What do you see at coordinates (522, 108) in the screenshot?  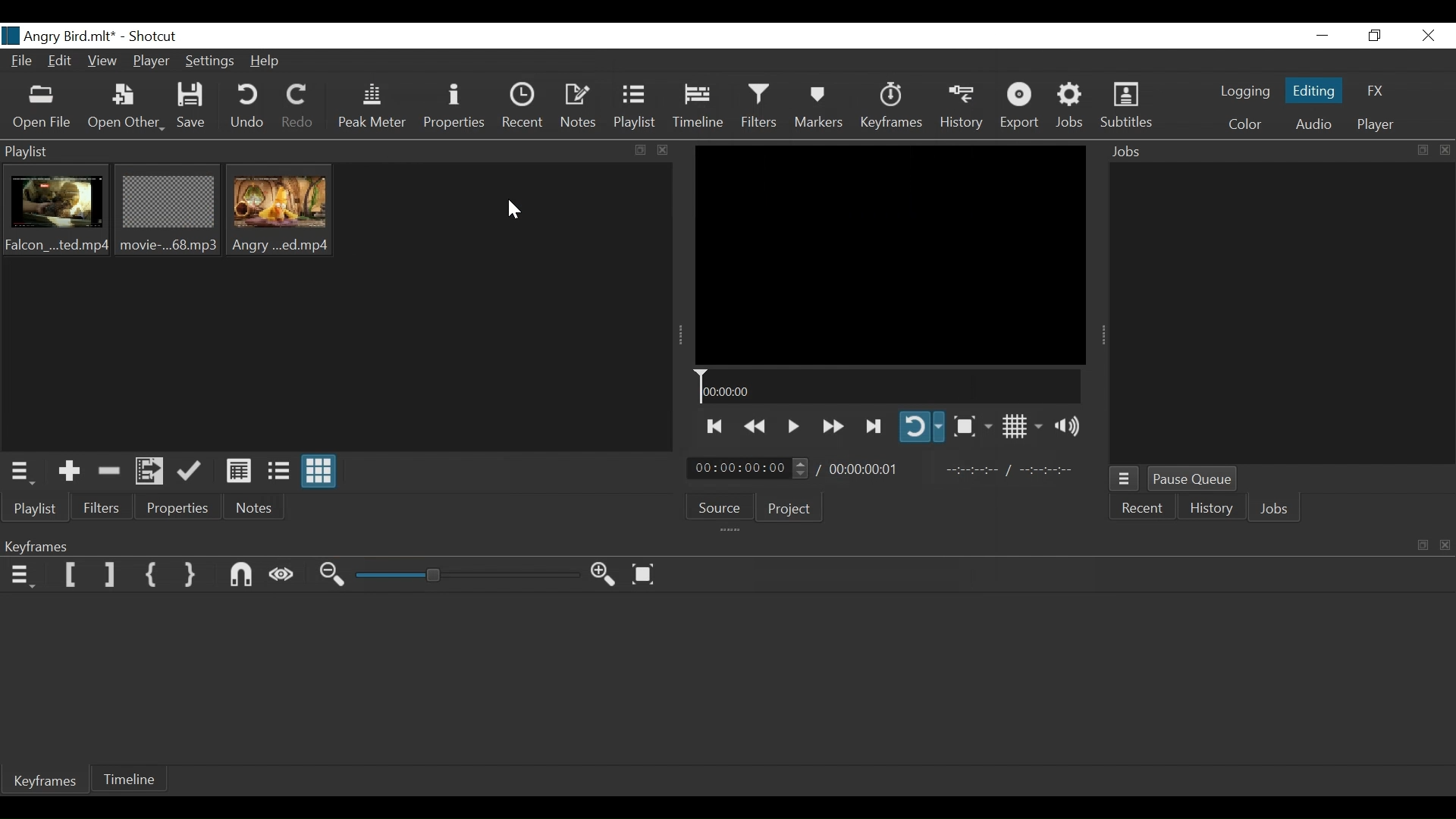 I see `Recent` at bounding box center [522, 108].